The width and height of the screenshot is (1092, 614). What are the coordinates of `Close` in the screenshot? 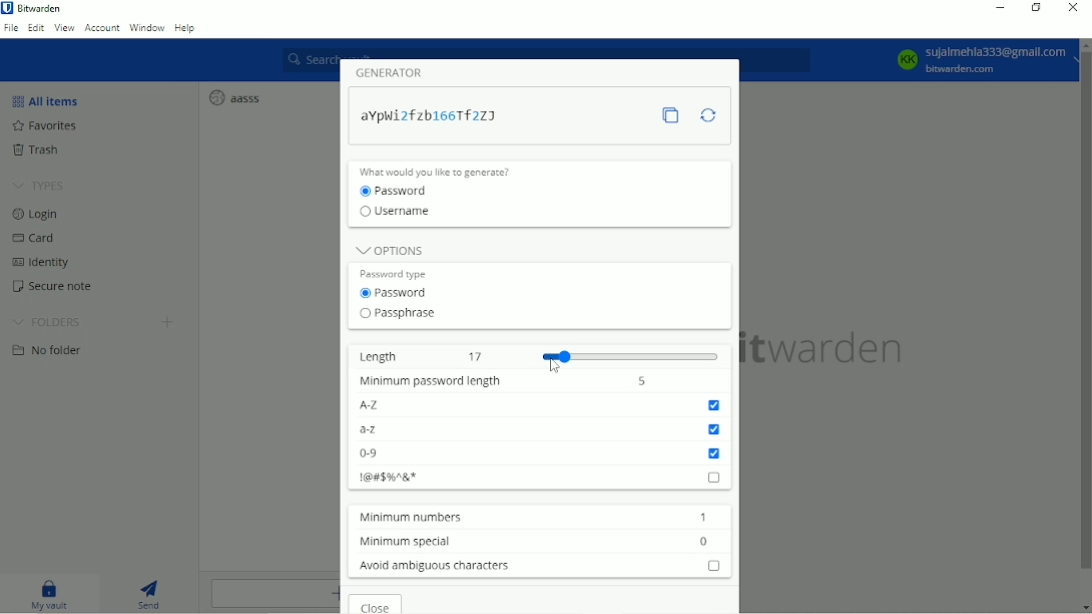 It's located at (378, 604).